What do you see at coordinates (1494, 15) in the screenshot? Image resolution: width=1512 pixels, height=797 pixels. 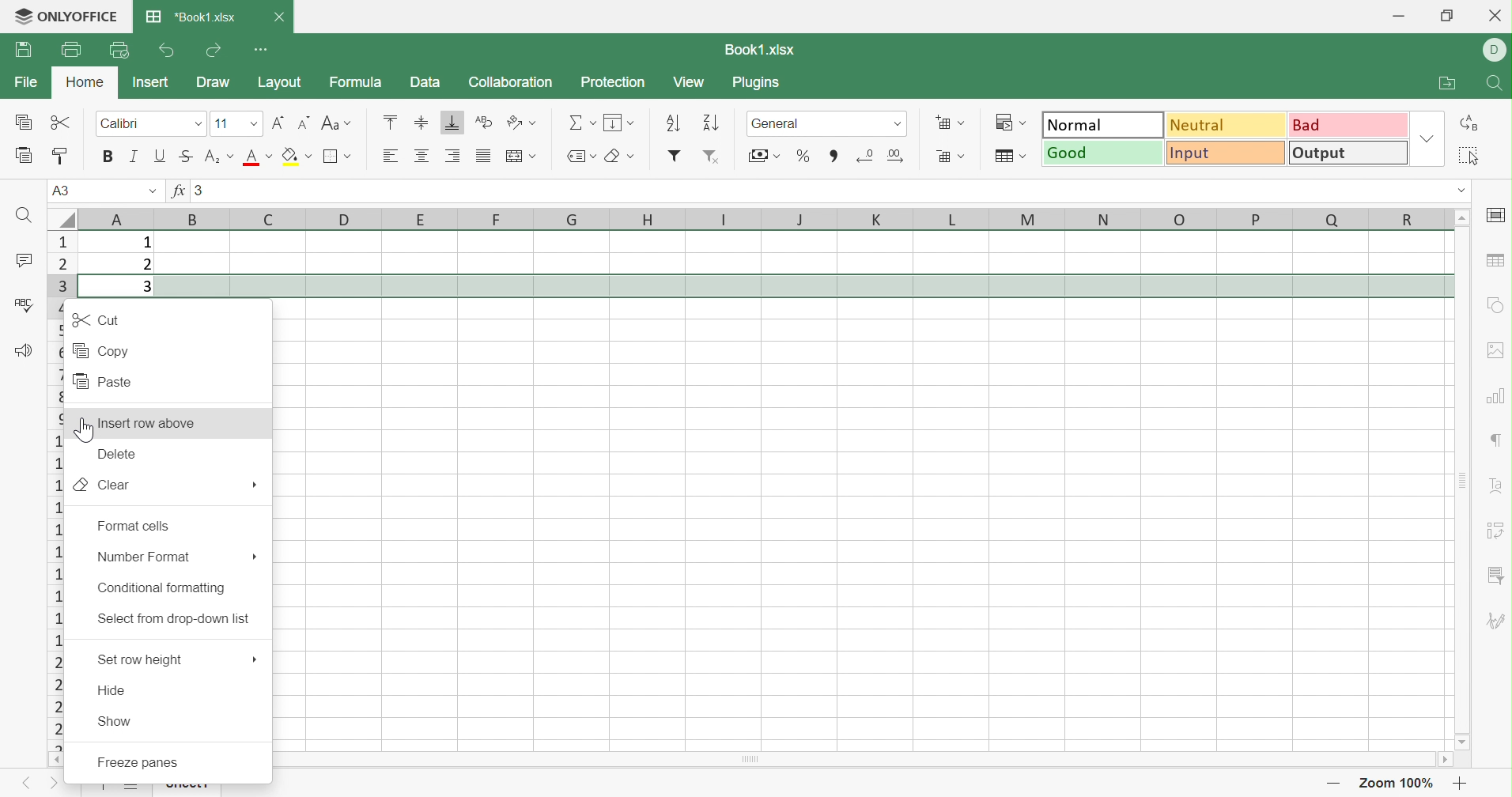 I see `Close` at bounding box center [1494, 15].